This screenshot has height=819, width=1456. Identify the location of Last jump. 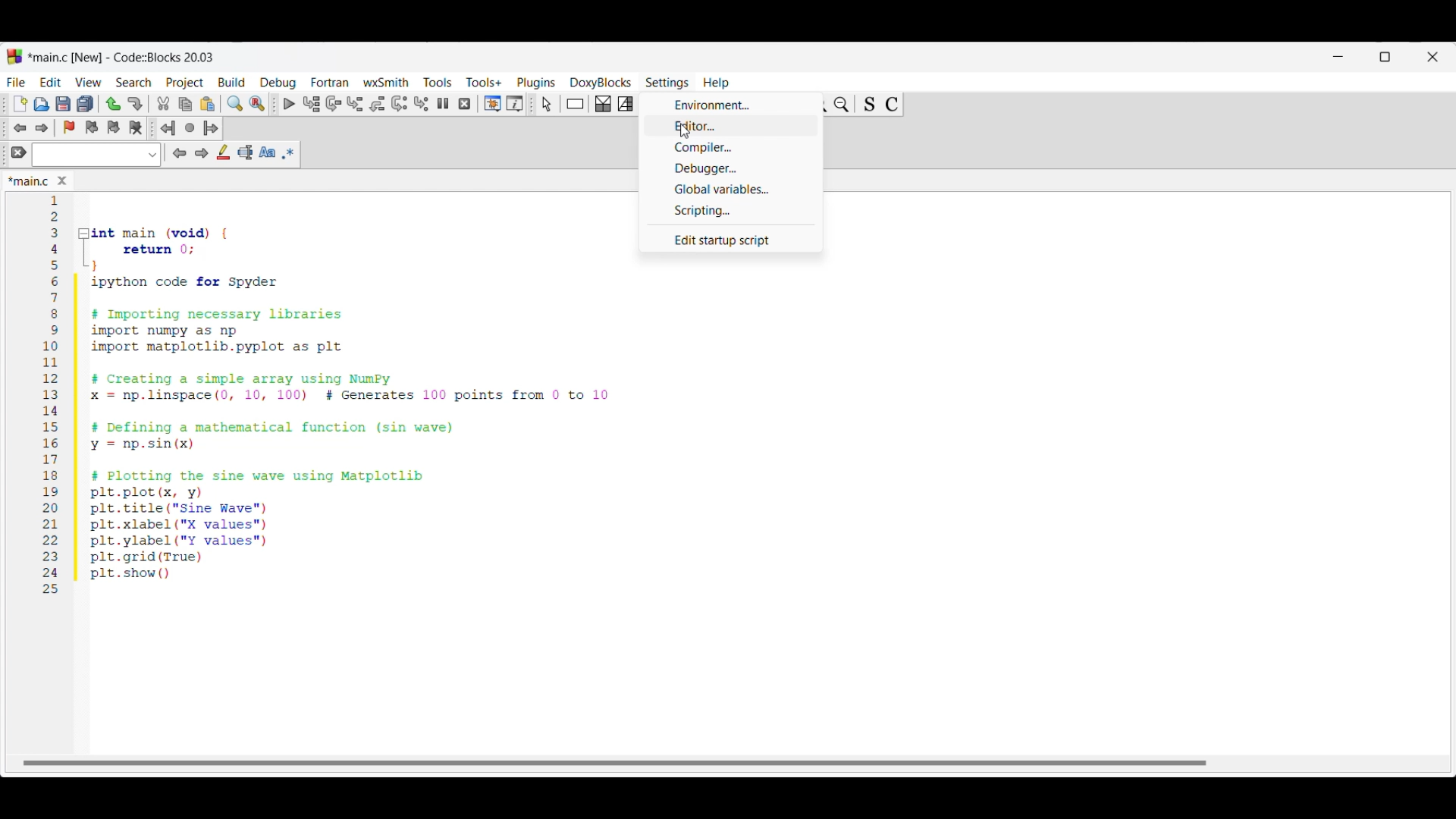
(190, 127).